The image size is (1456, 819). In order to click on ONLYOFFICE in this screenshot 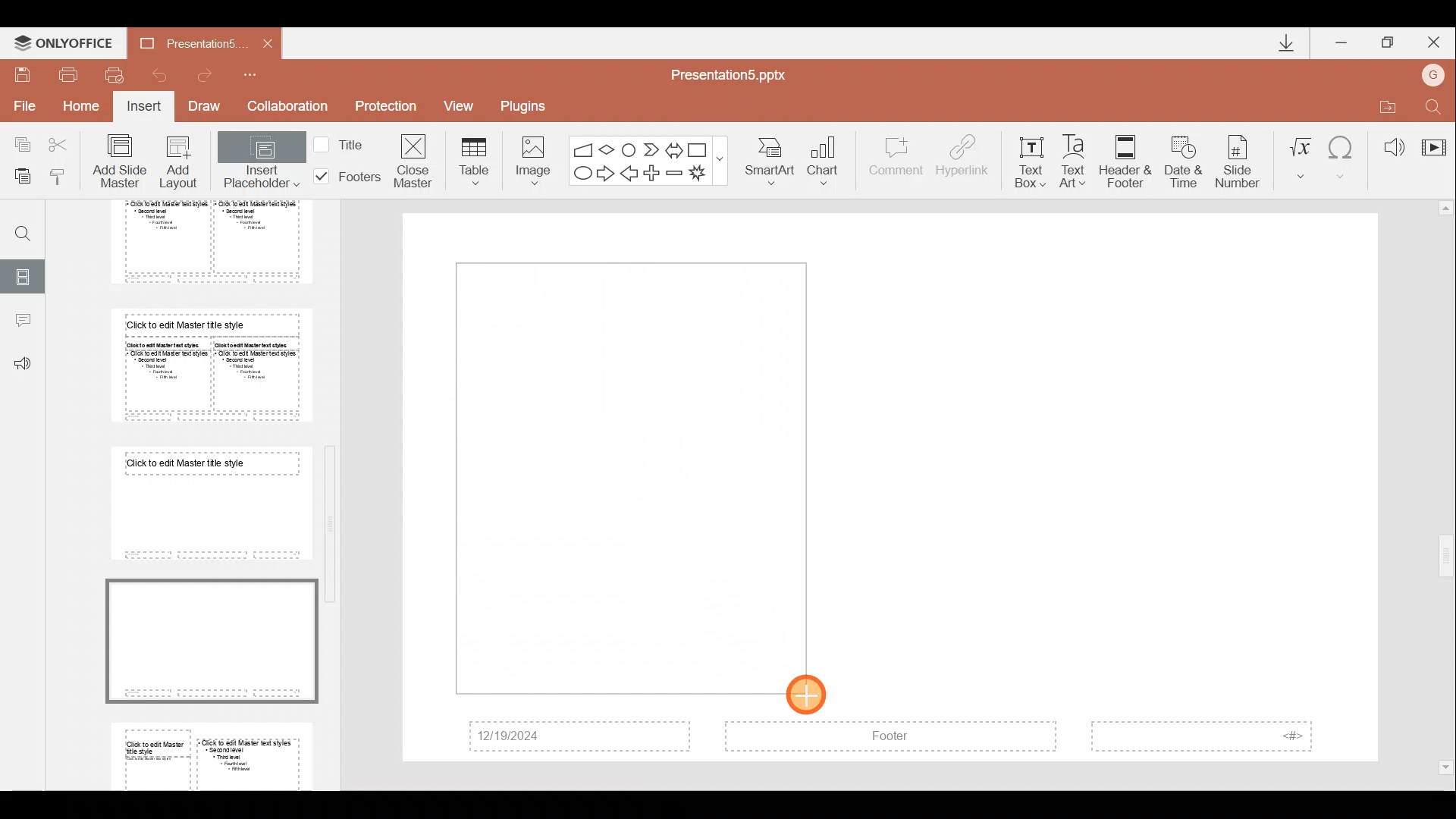, I will do `click(63, 39)`.